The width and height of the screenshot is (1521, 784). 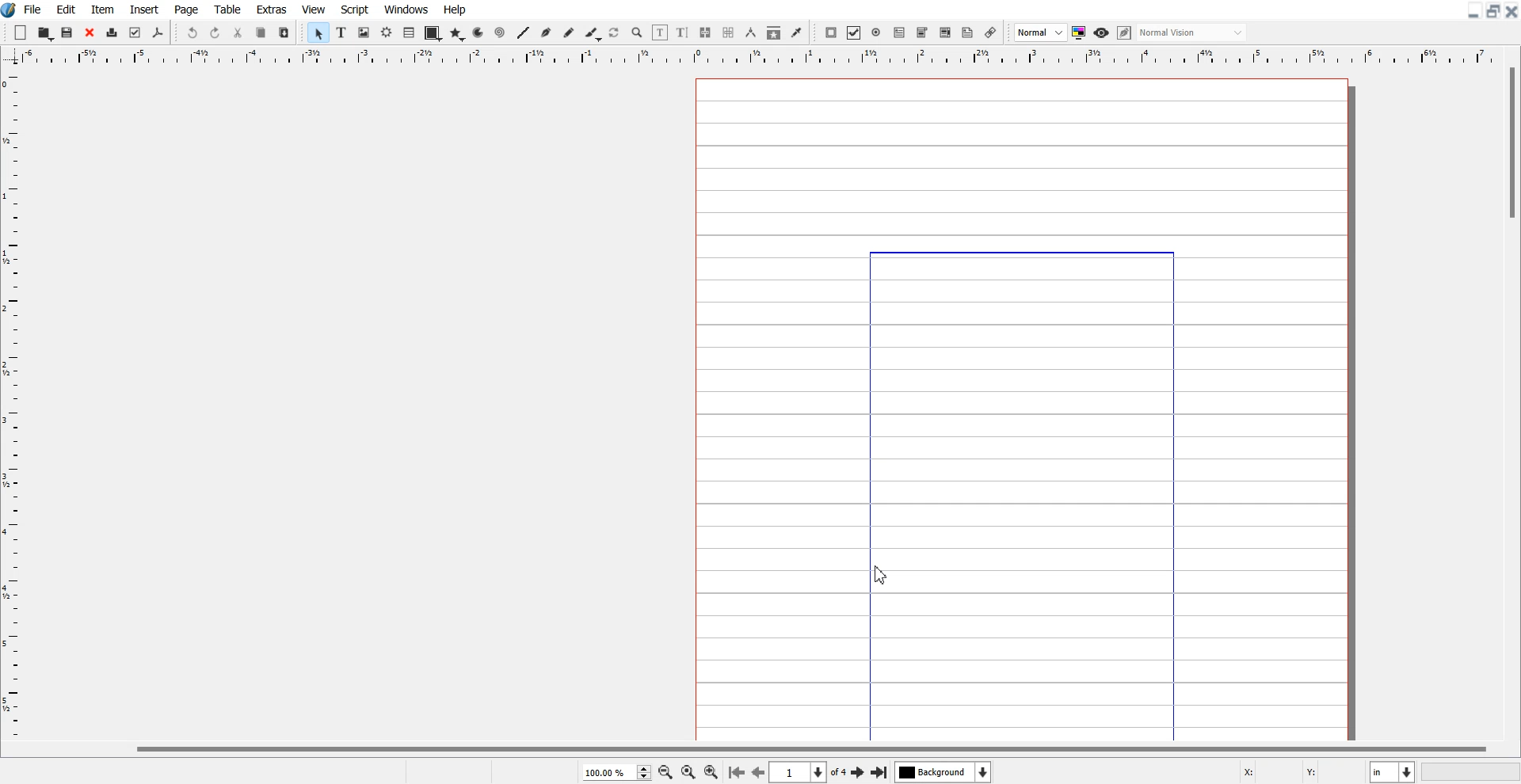 I want to click on PDF Check Box, so click(x=854, y=32).